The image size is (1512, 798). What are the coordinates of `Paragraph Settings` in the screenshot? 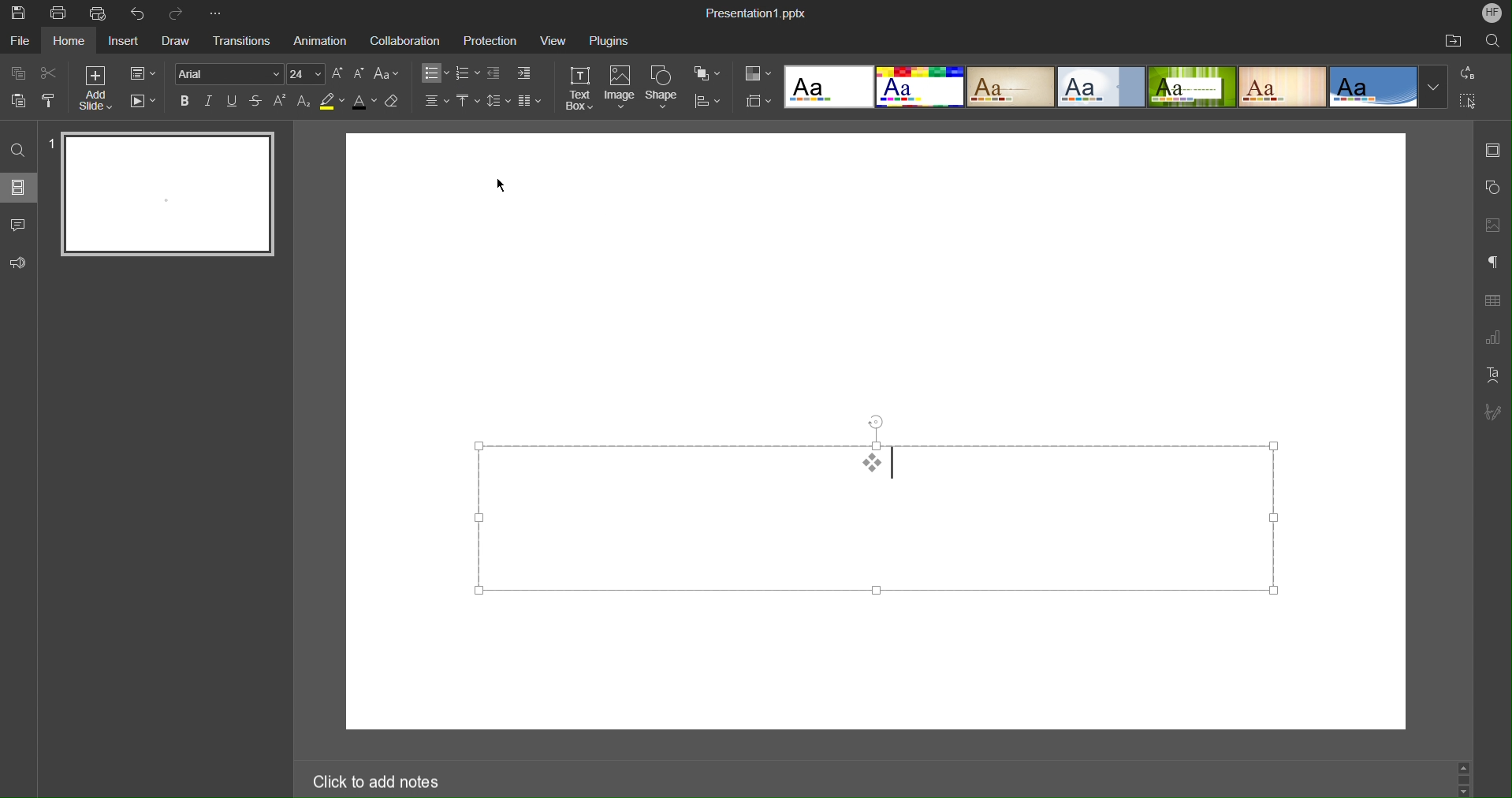 It's located at (1492, 263).